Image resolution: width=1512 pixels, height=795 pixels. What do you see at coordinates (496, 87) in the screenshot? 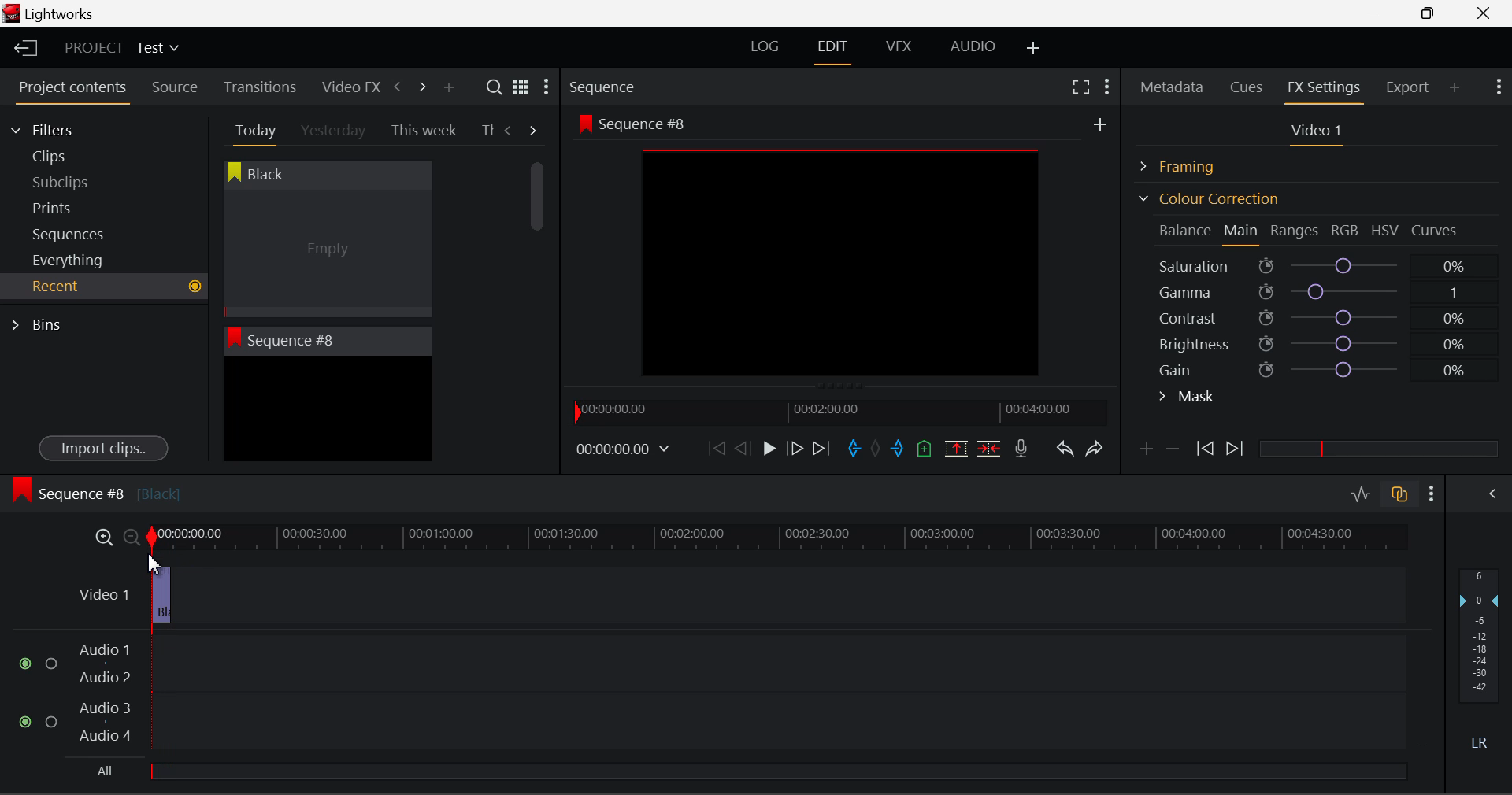
I see `Search` at bounding box center [496, 87].